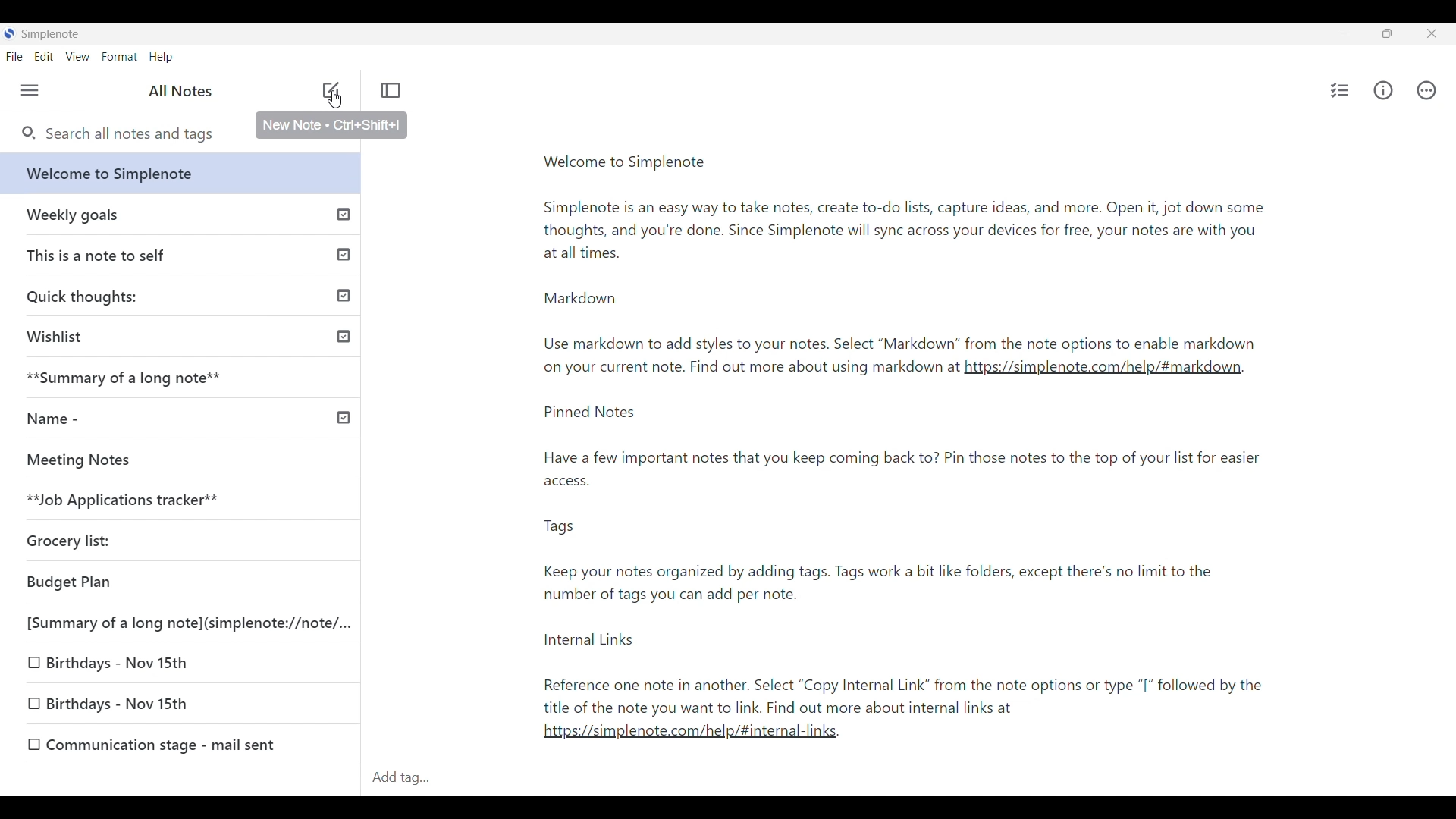 Image resolution: width=1456 pixels, height=819 pixels. I want to click on File menu, so click(14, 56).